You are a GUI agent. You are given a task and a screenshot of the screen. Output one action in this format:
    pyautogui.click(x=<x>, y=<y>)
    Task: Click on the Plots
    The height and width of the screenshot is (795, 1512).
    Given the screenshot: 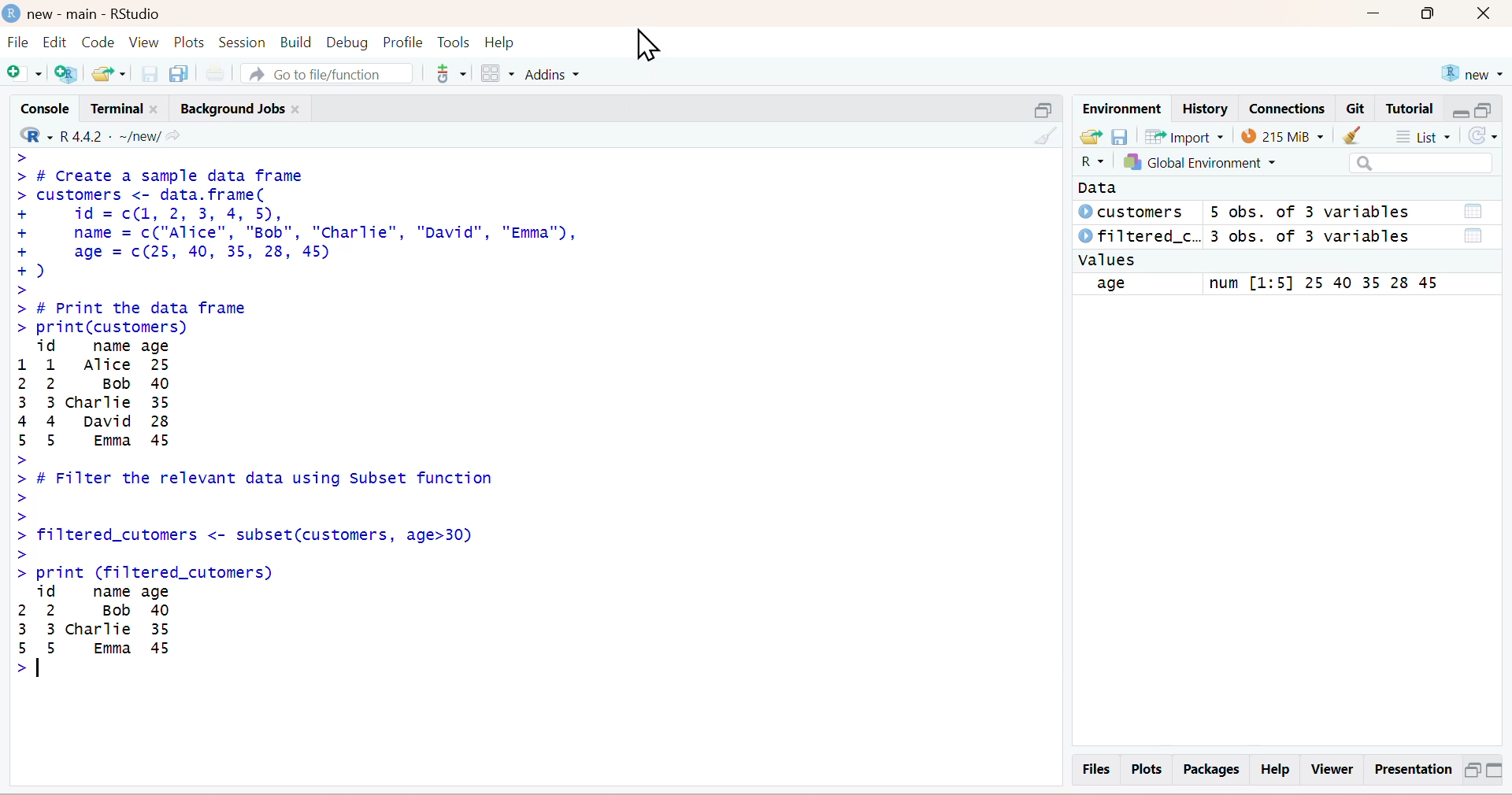 What is the action you would take?
    pyautogui.click(x=191, y=42)
    